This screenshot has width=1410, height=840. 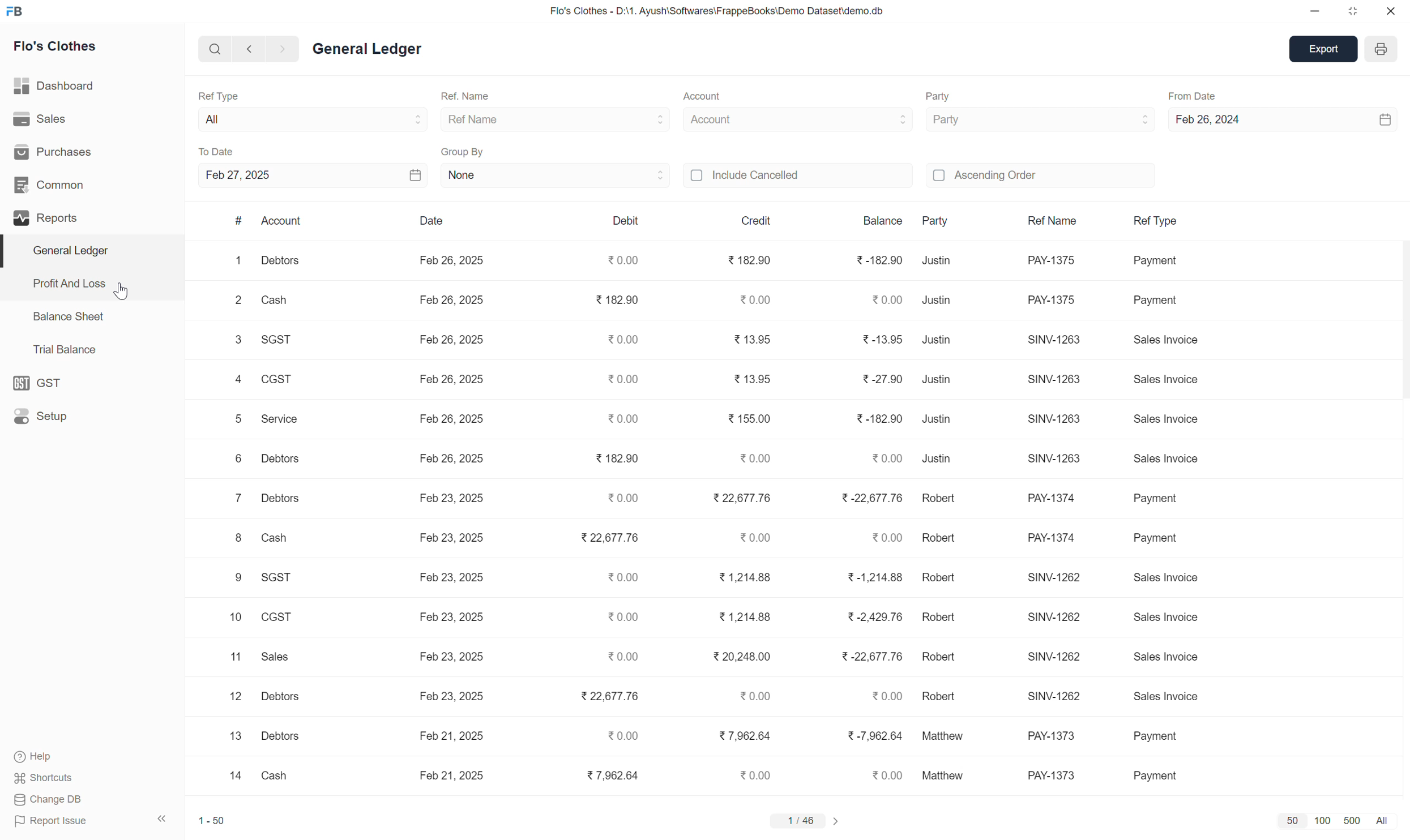 I want to click on PAY-1373, so click(x=1048, y=774).